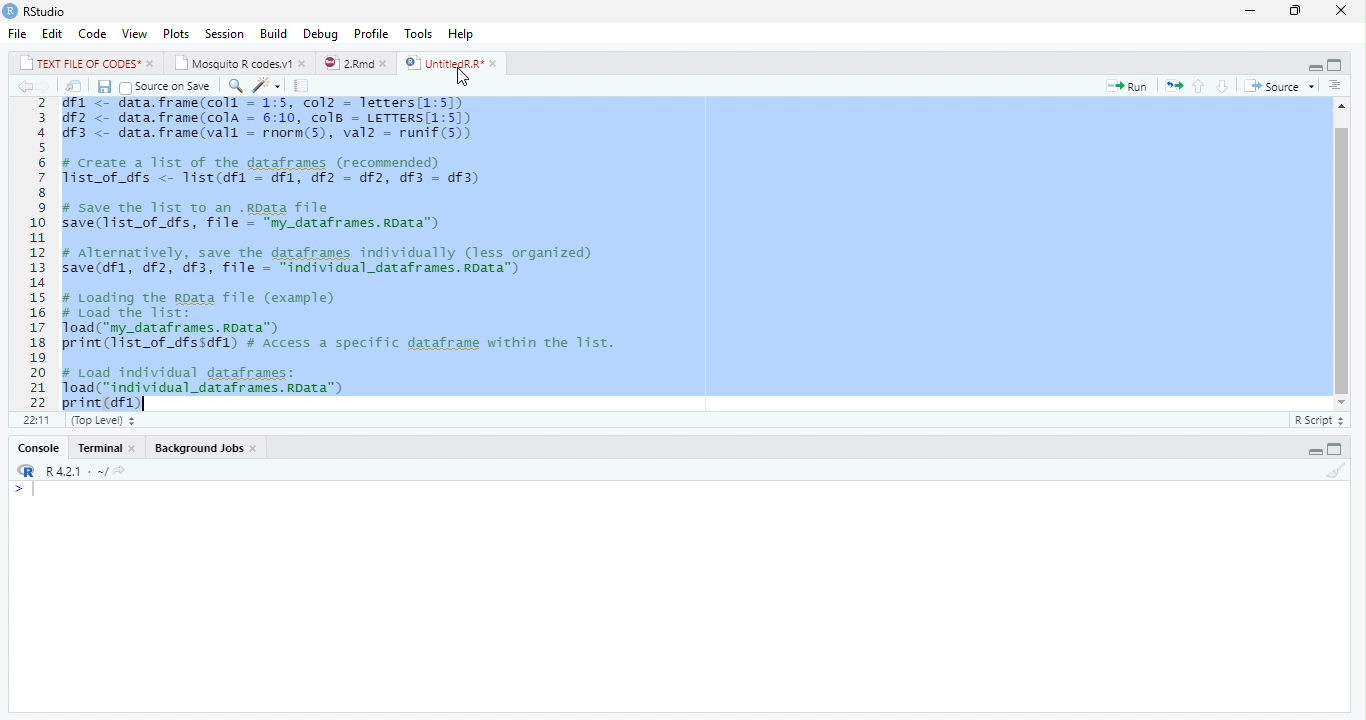  Describe the element at coordinates (303, 86) in the screenshot. I see `Guidelines` at that location.